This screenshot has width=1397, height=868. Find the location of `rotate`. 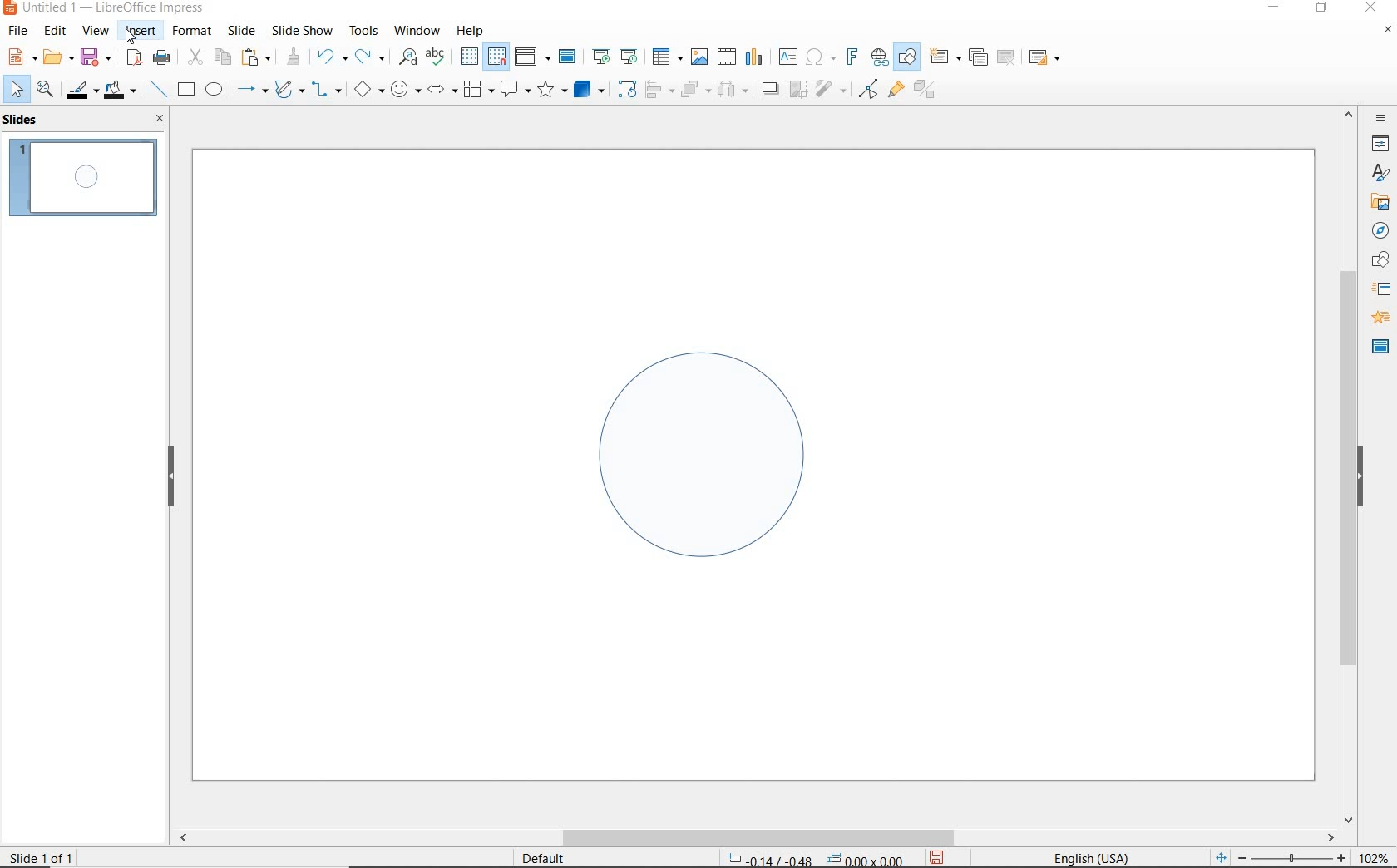

rotate is located at coordinates (624, 88).